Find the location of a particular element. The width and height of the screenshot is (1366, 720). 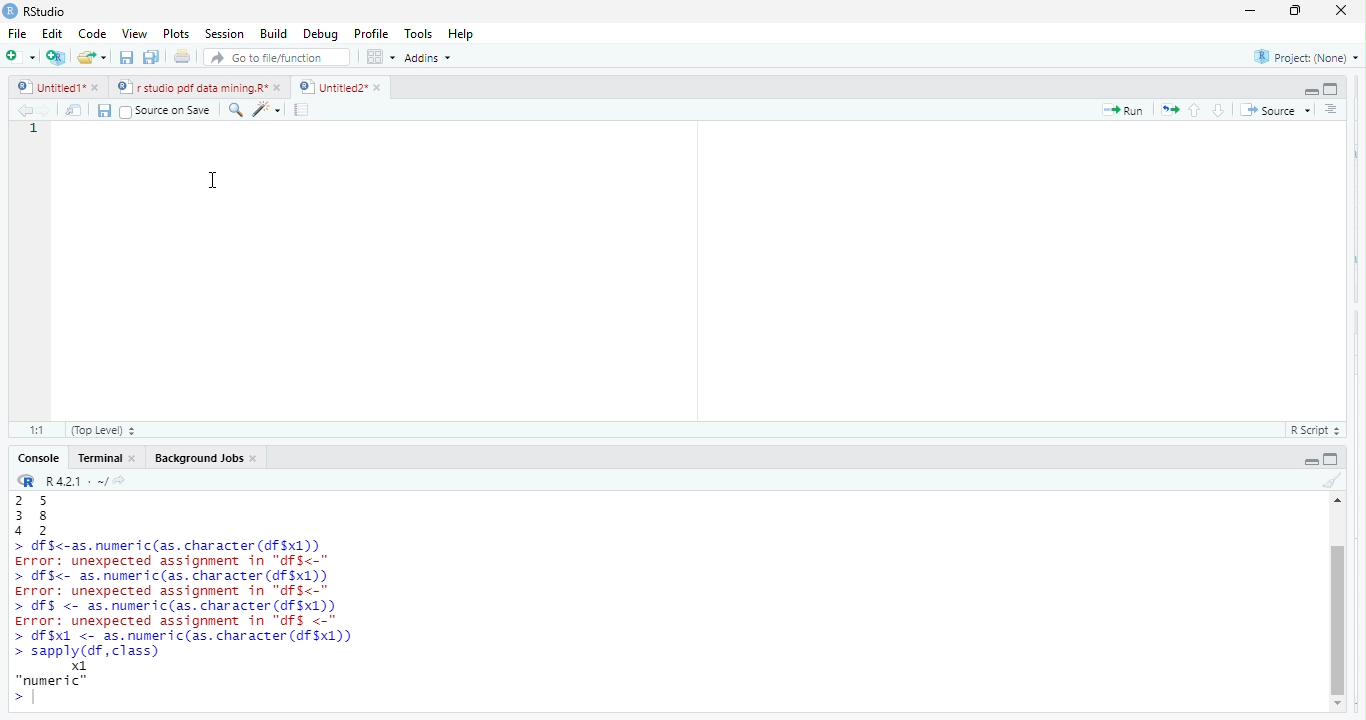

 Source  is located at coordinates (1278, 112).